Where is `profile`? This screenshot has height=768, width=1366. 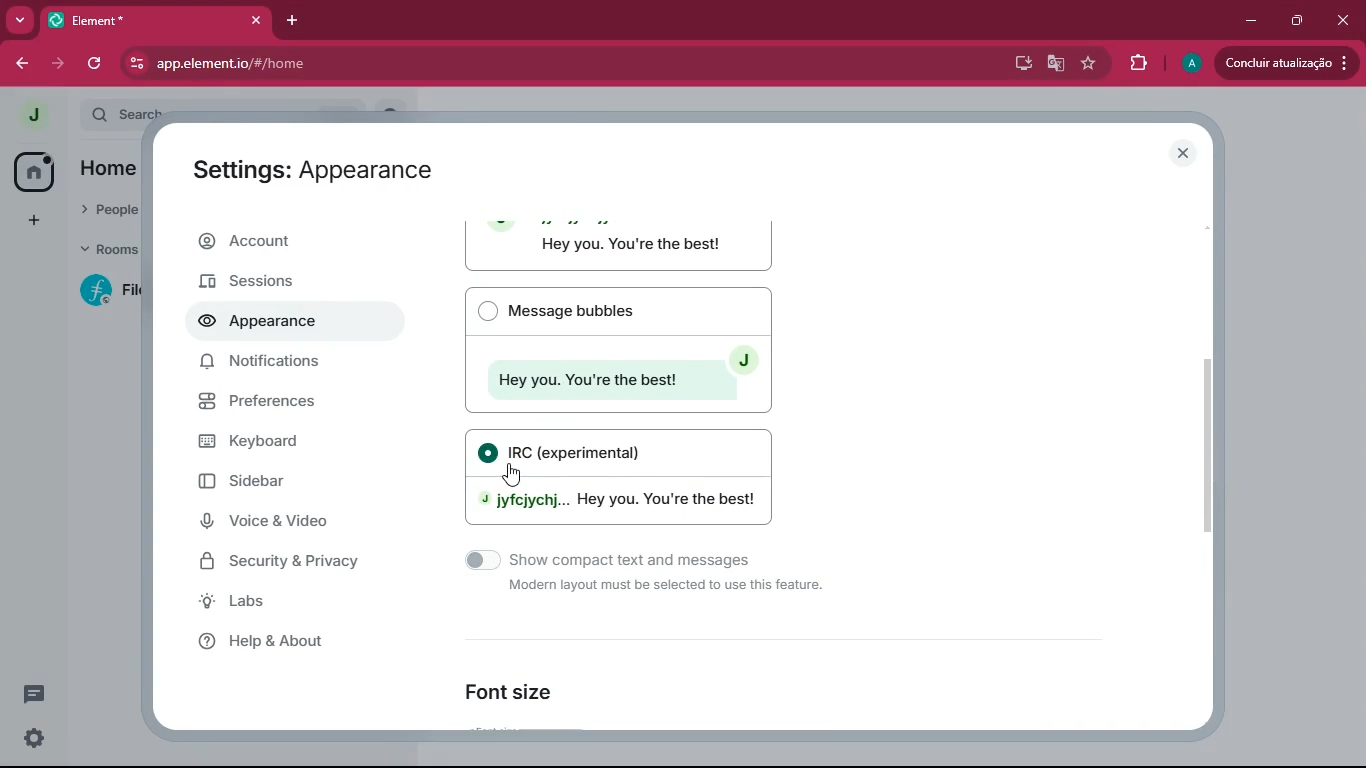
profile is located at coordinates (1188, 64).